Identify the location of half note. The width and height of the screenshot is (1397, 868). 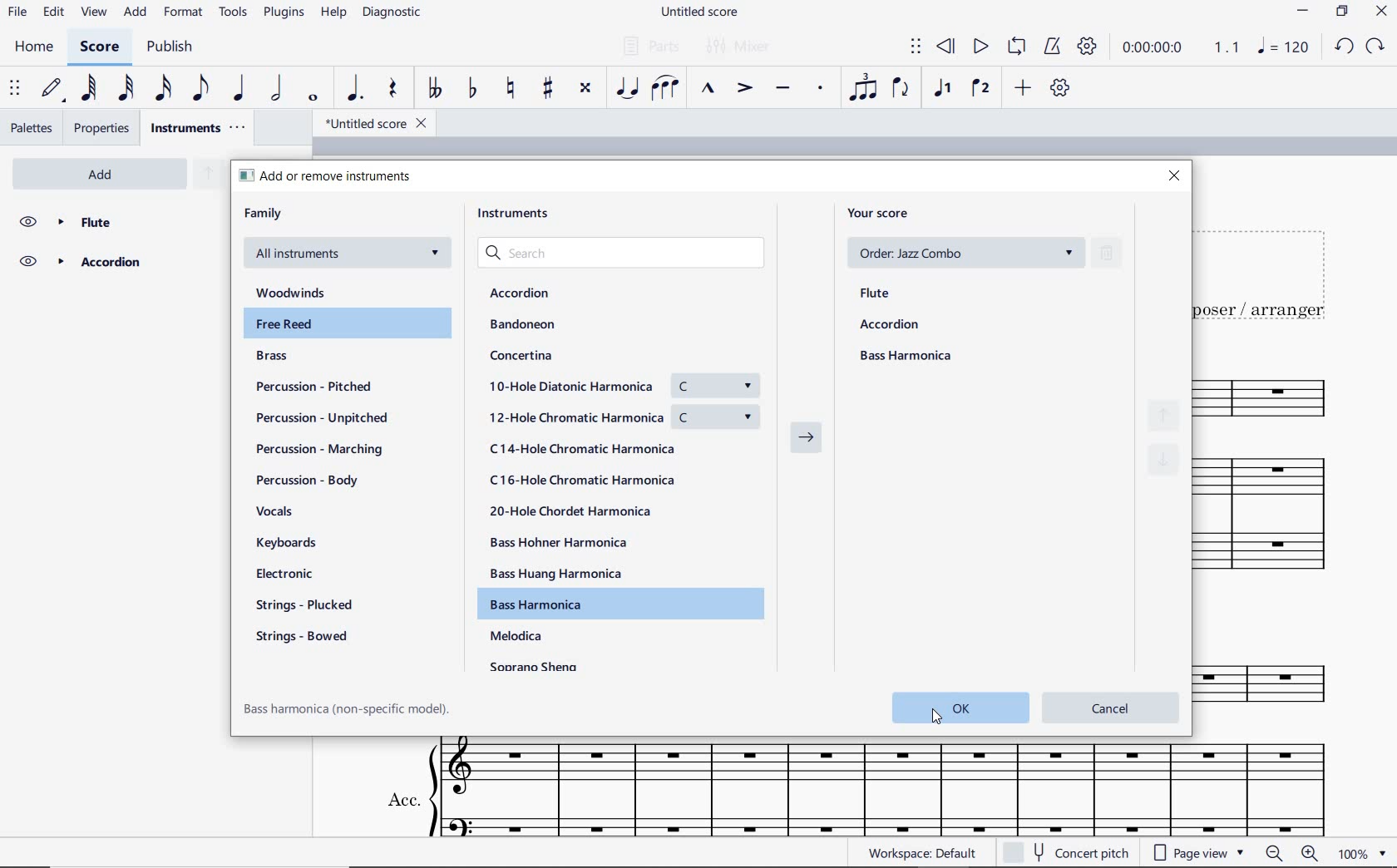
(279, 89).